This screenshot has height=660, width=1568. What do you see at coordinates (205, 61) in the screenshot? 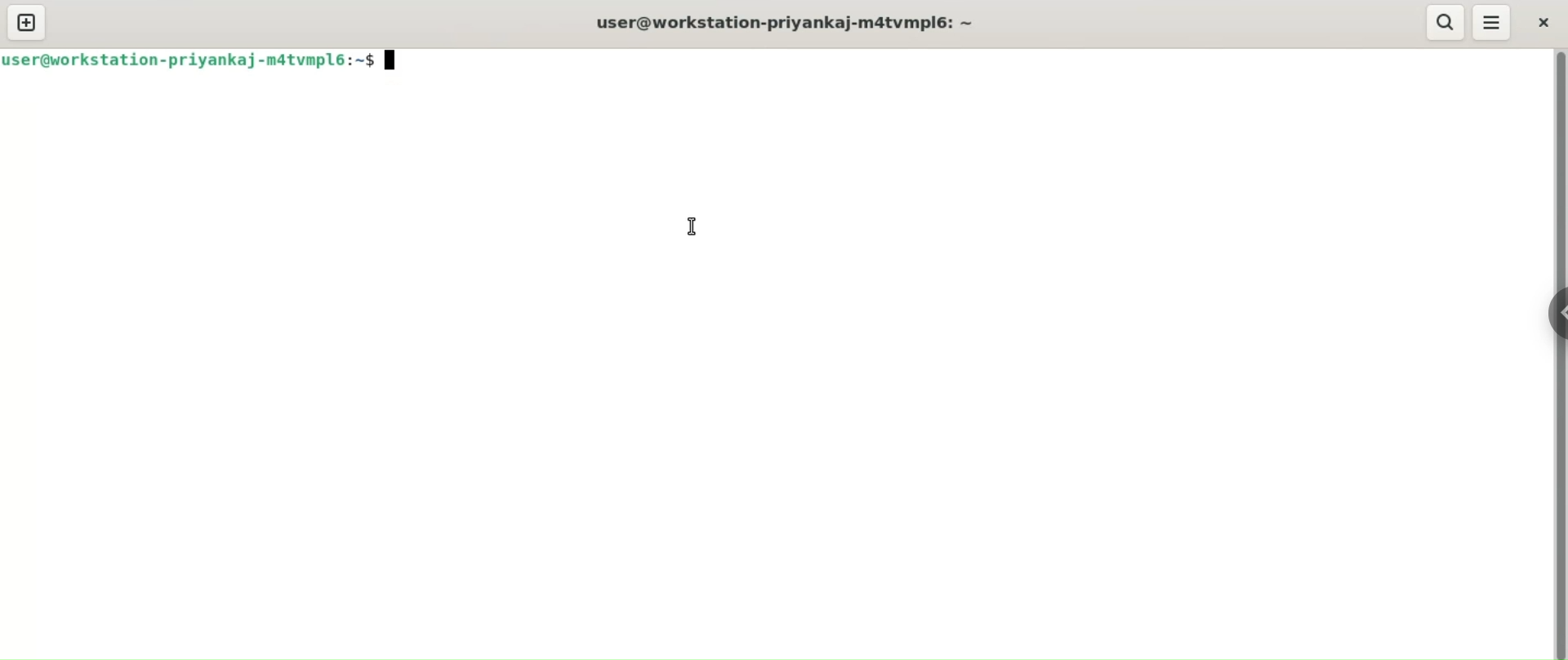
I see `iIser@workstation-priyankaj-matvmpl6:~$ Jj` at bounding box center [205, 61].